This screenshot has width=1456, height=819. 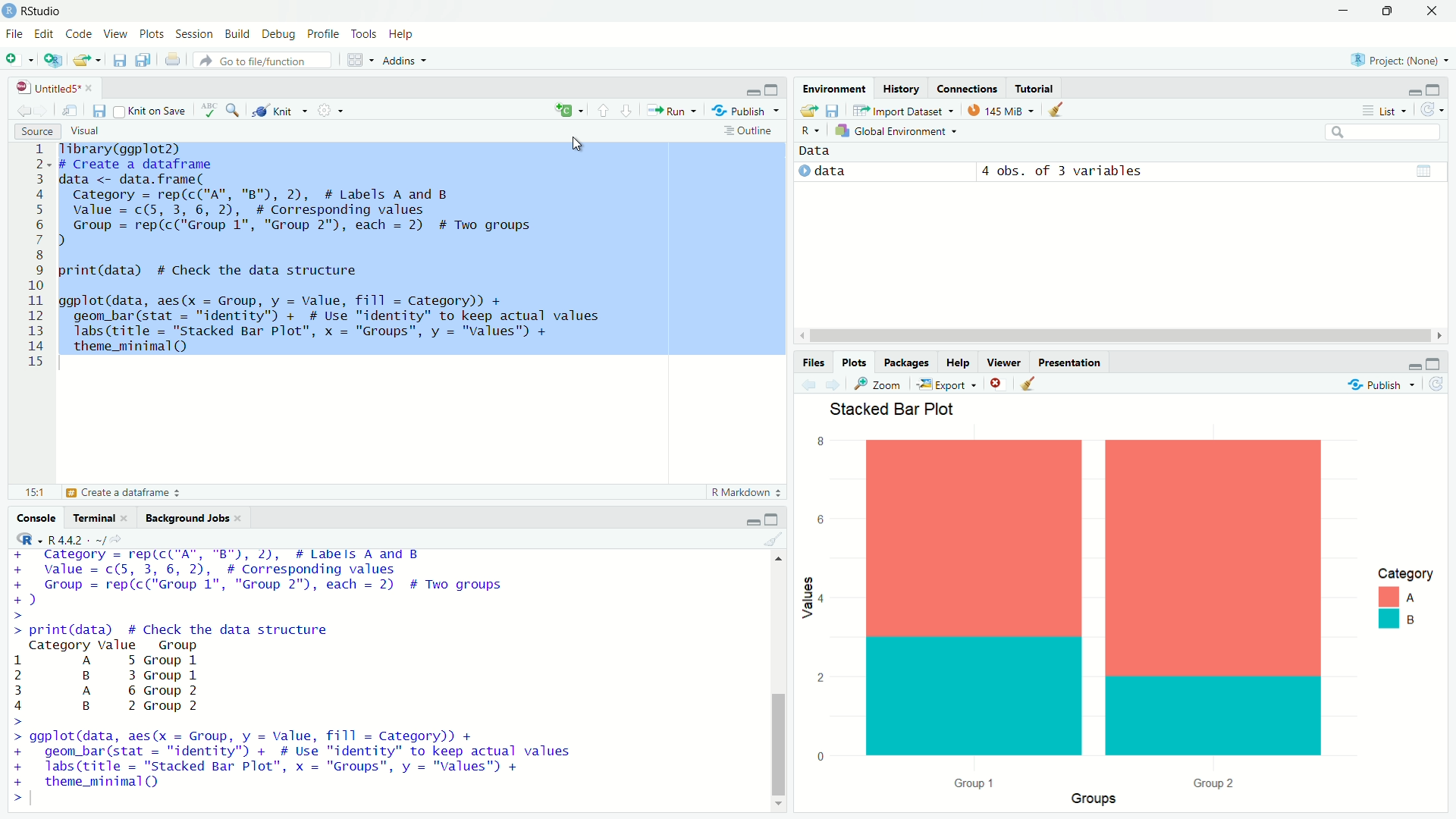 What do you see at coordinates (80, 33) in the screenshot?
I see `Code` at bounding box center [80, 33].